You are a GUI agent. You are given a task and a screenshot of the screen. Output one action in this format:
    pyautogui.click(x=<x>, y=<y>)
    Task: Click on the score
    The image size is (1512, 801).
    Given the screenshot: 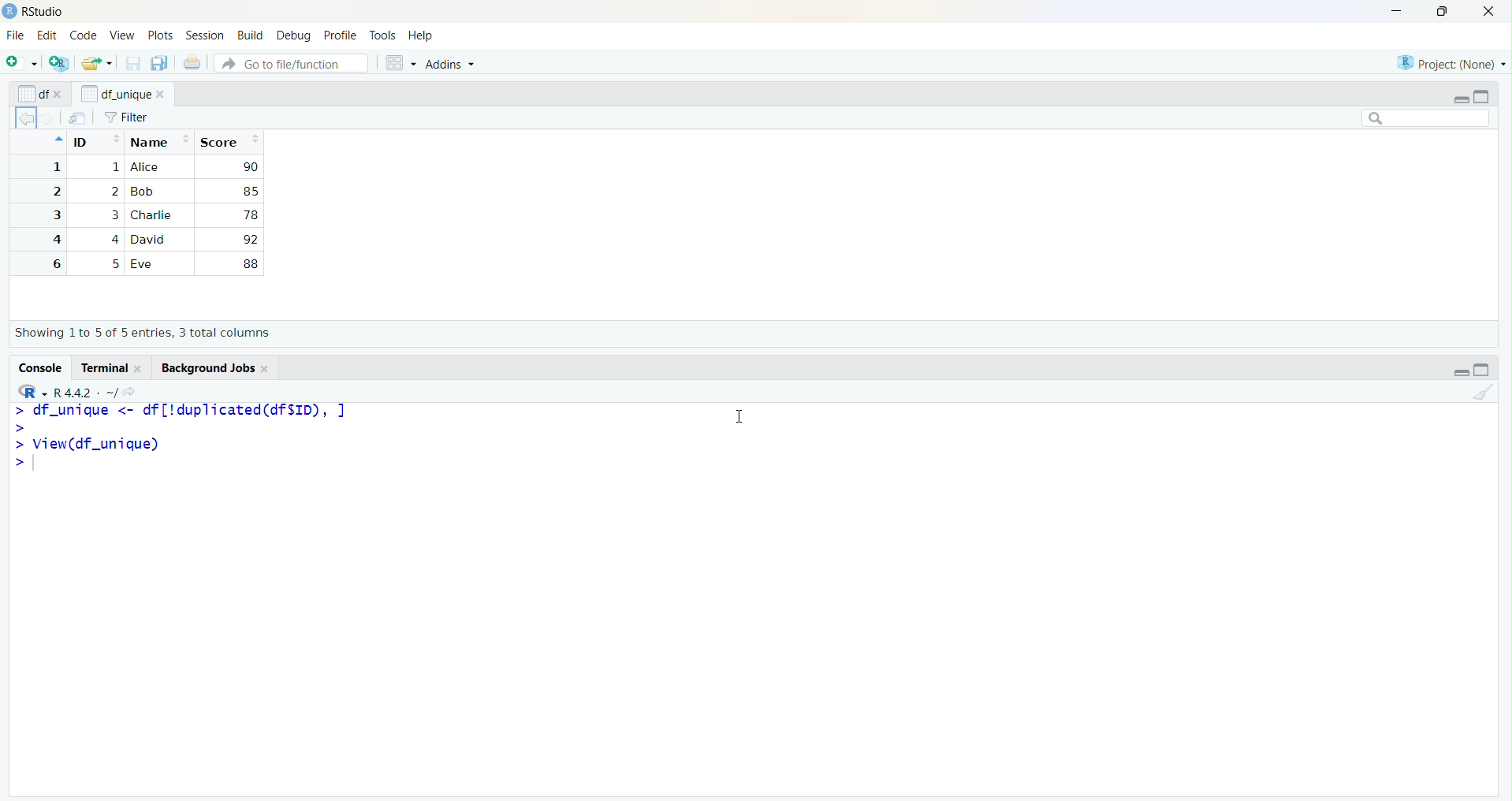 What is the action you would take?
    pyautogui.click(x=229, y=141)
    